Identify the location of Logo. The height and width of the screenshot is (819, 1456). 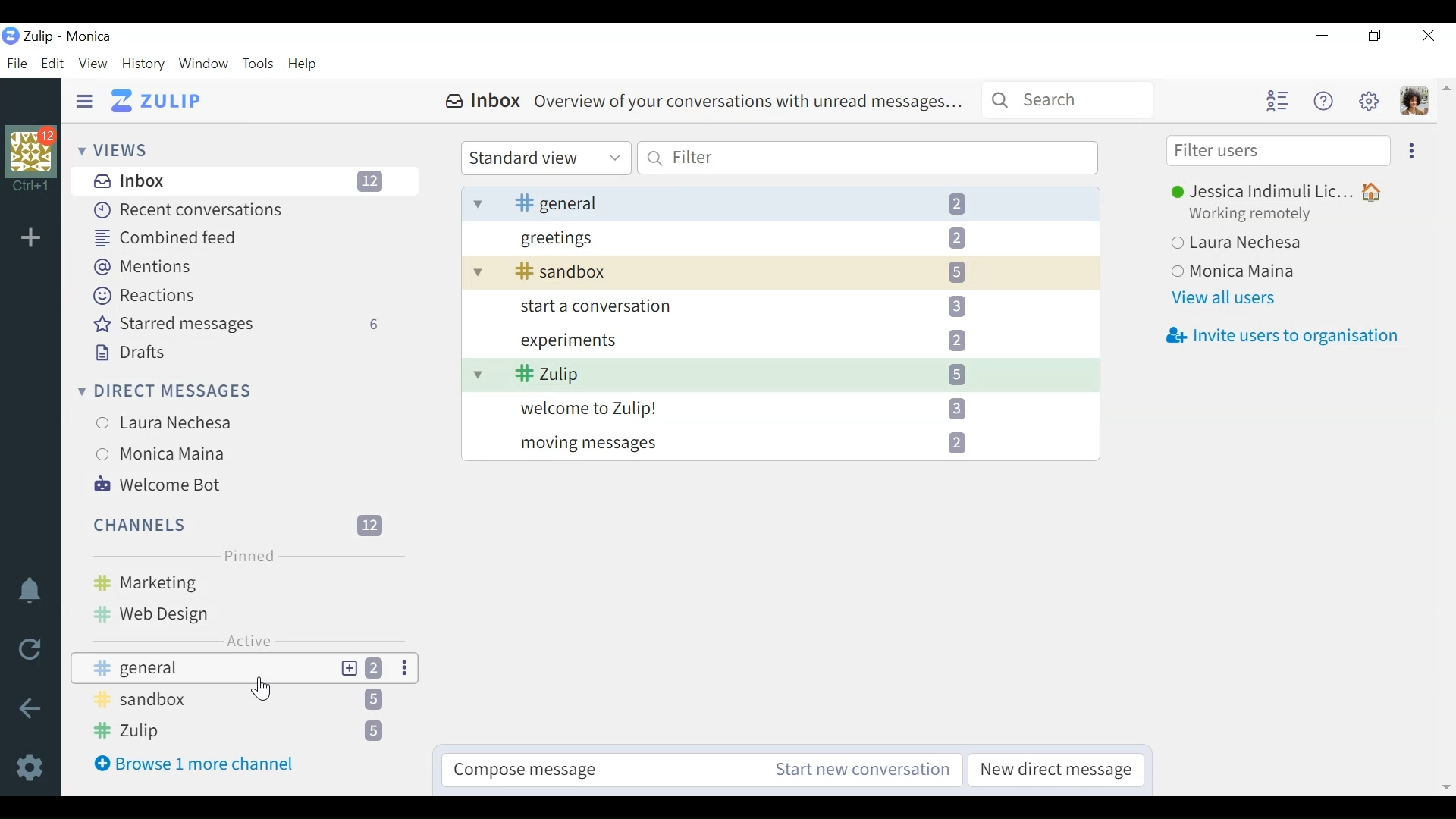
(11, 37).